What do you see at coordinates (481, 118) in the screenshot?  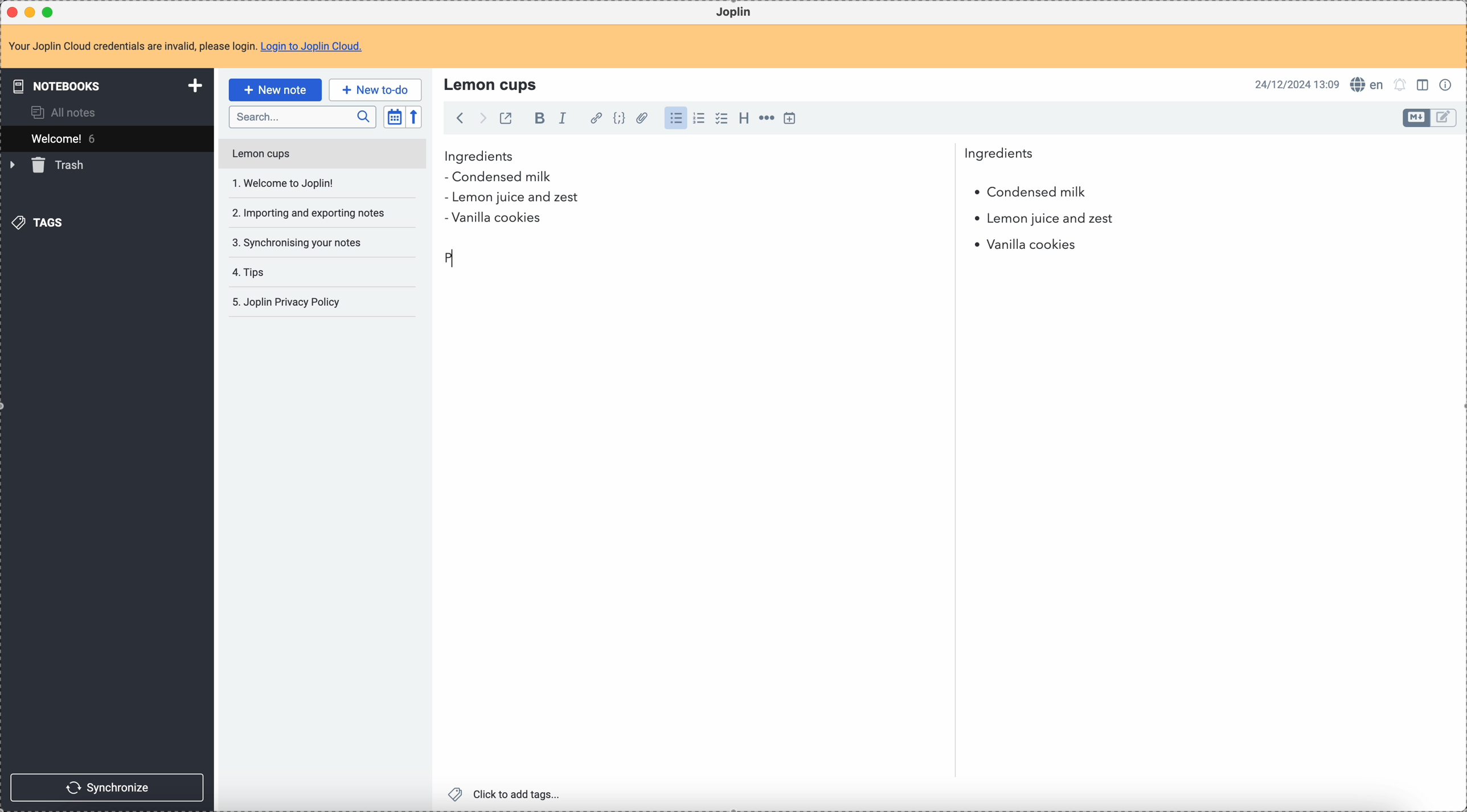 I see `foward` at bounding box center [481, 118].